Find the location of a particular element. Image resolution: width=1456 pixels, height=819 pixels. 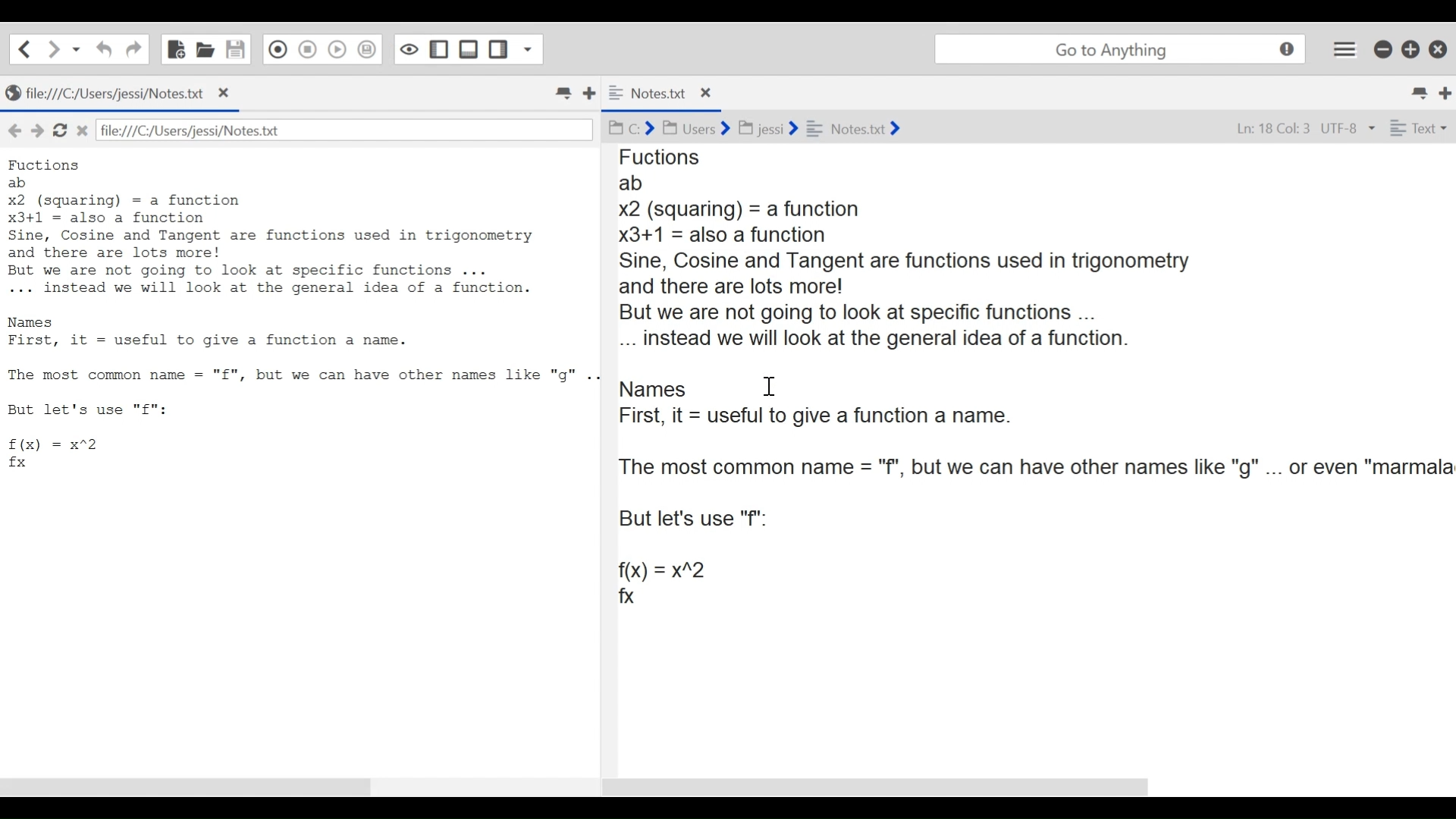

close is located at coordinates (707, 95).